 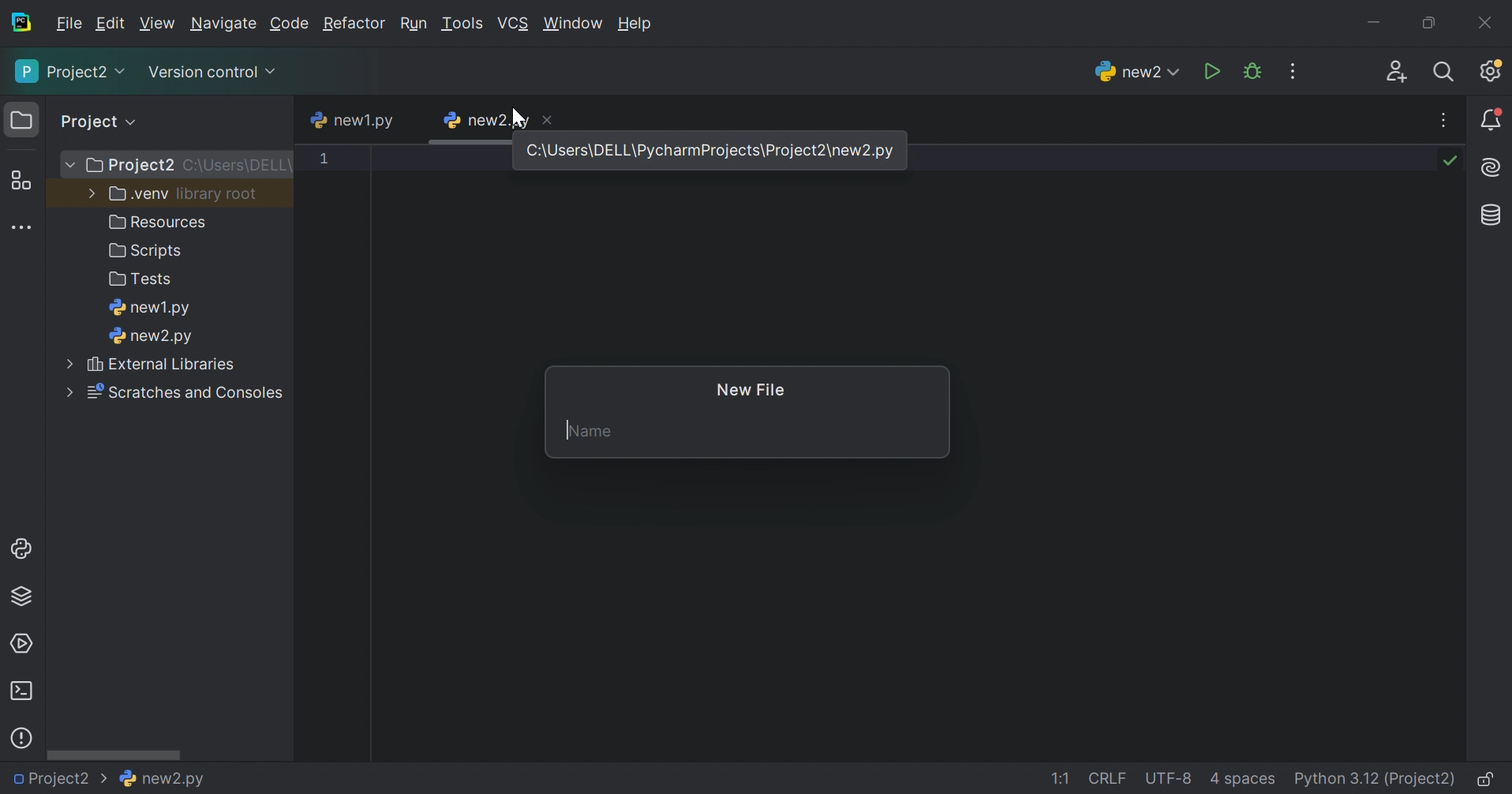 What do you see at coordinates (1493, 169) in the screenshot?
I see `AI Assistant` at bounding box center [1493, 169].